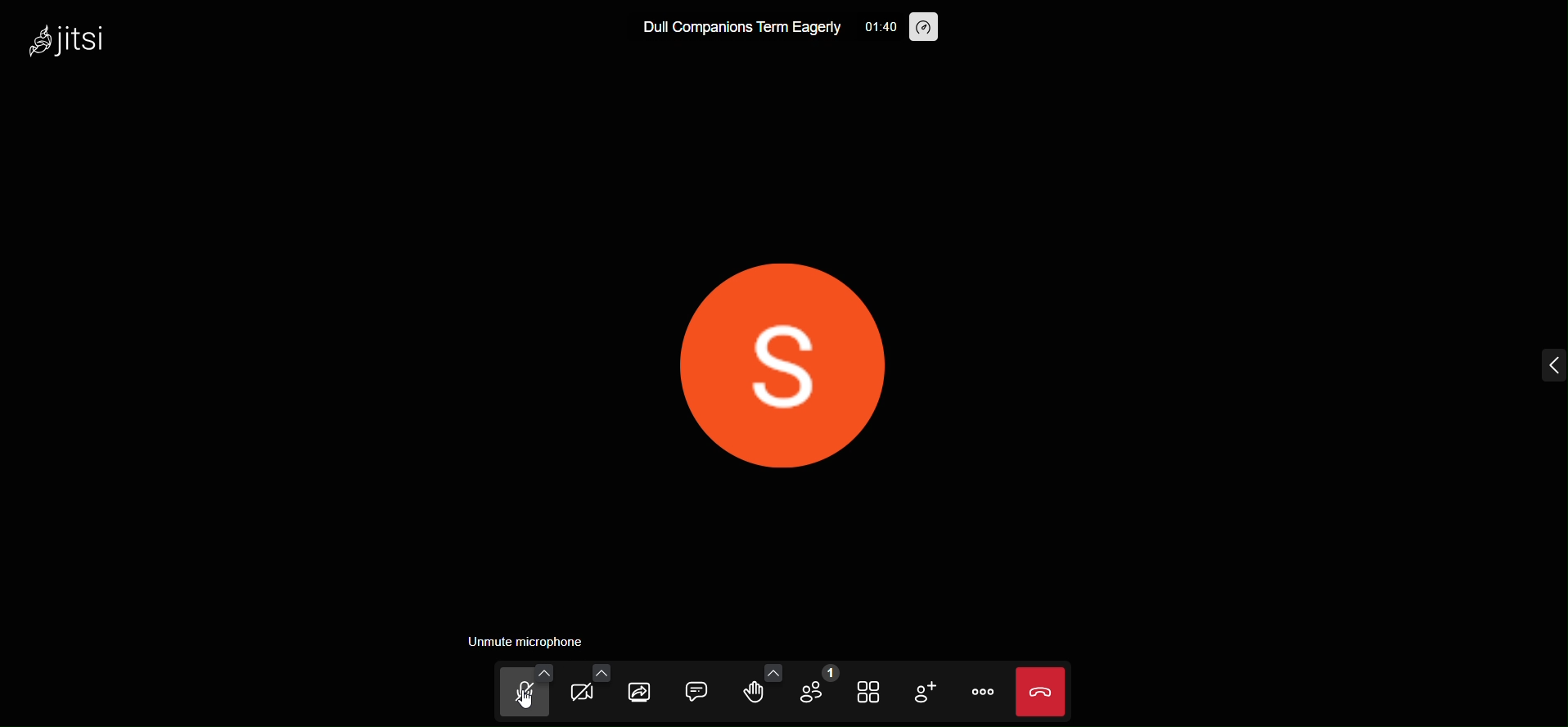 This screenshot has width=1568, height=727. Describe the element at coordinates (815, 686) in the screenshot. I see `participants` at that location.